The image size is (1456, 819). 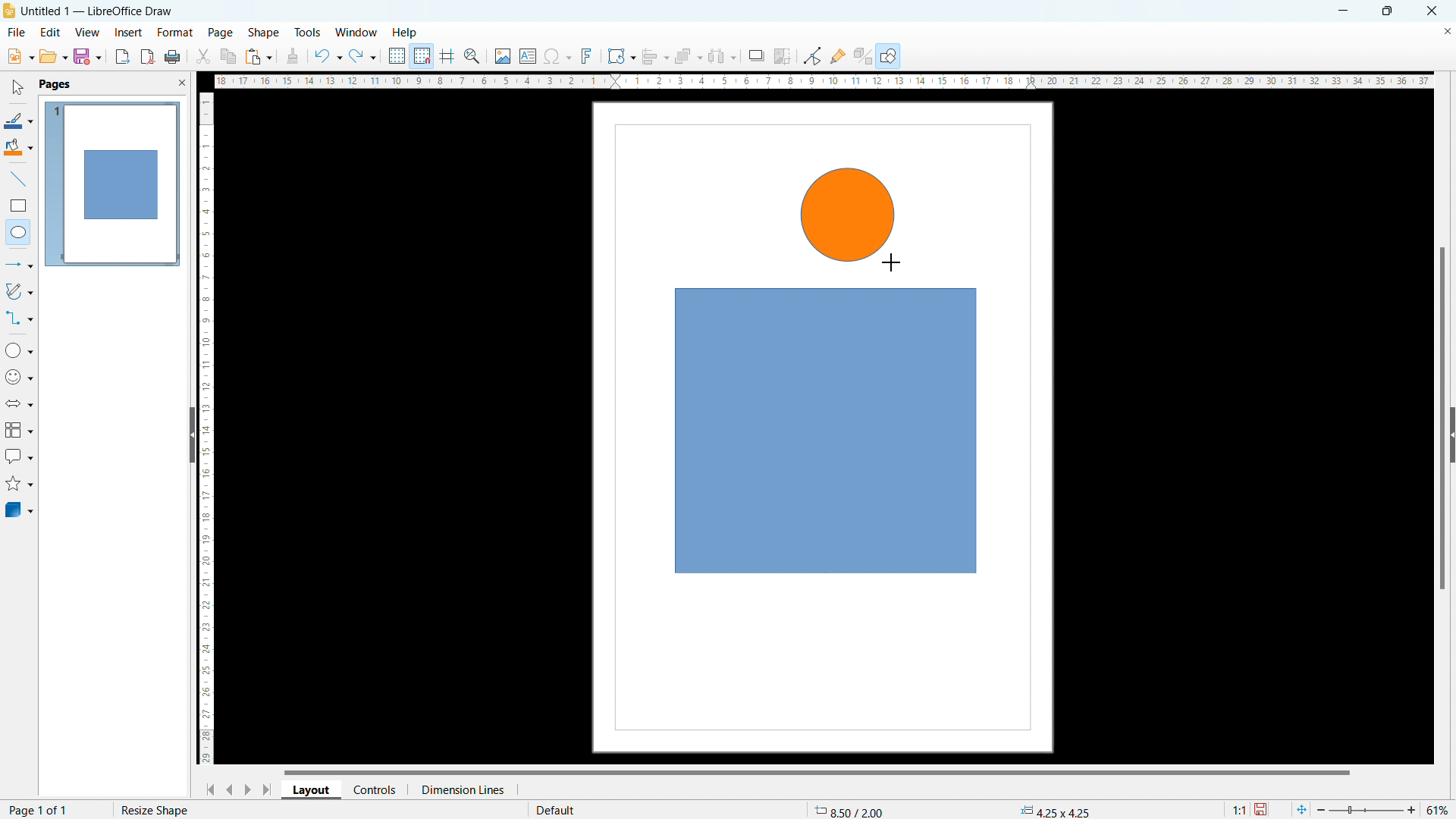 What do you see at coordinates (312, 790) in the screenshot?
I see `layout` at bounding box center [312, 790].